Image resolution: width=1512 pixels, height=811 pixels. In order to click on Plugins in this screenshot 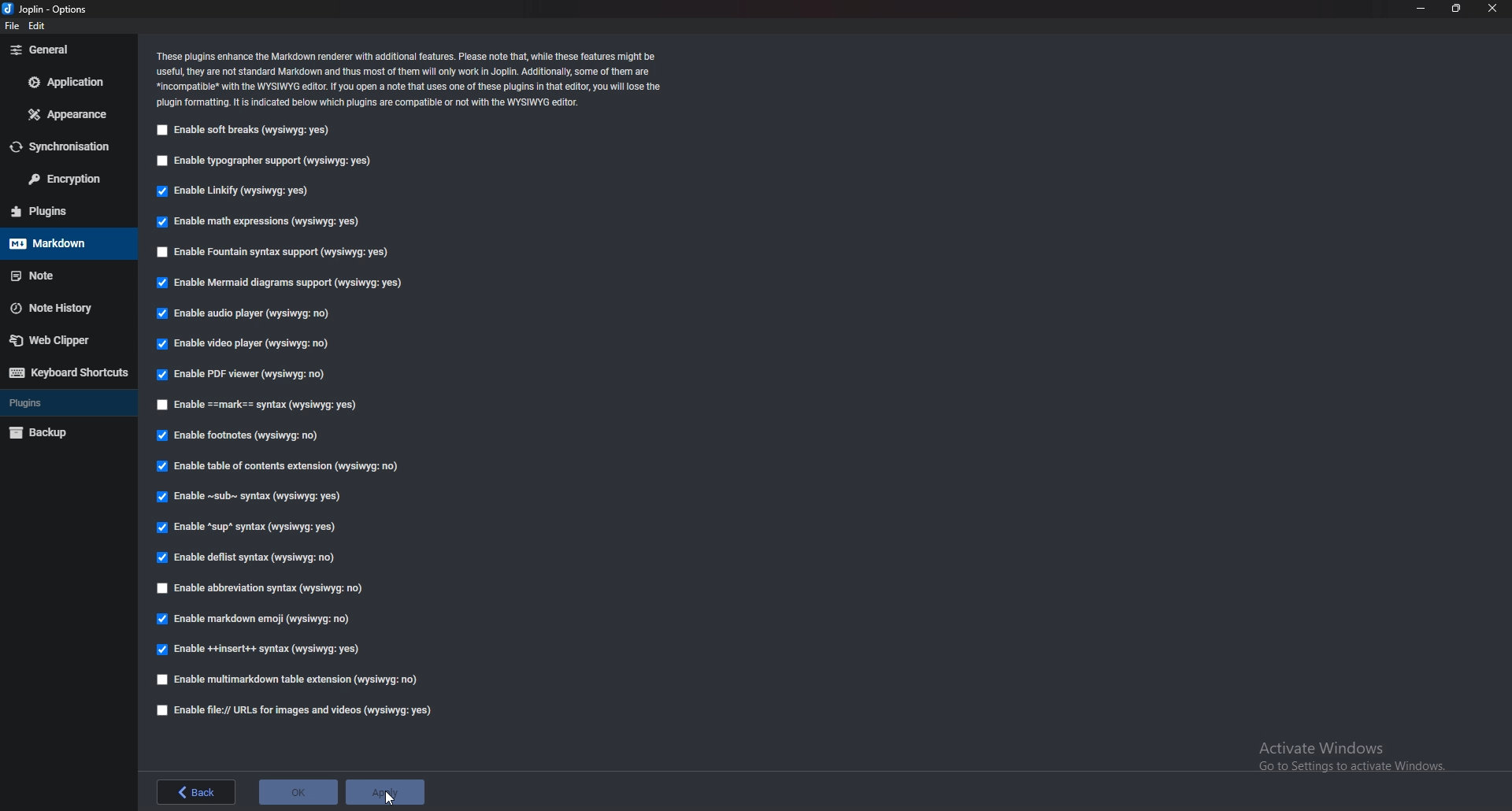, I will do `click(66, 403)`.